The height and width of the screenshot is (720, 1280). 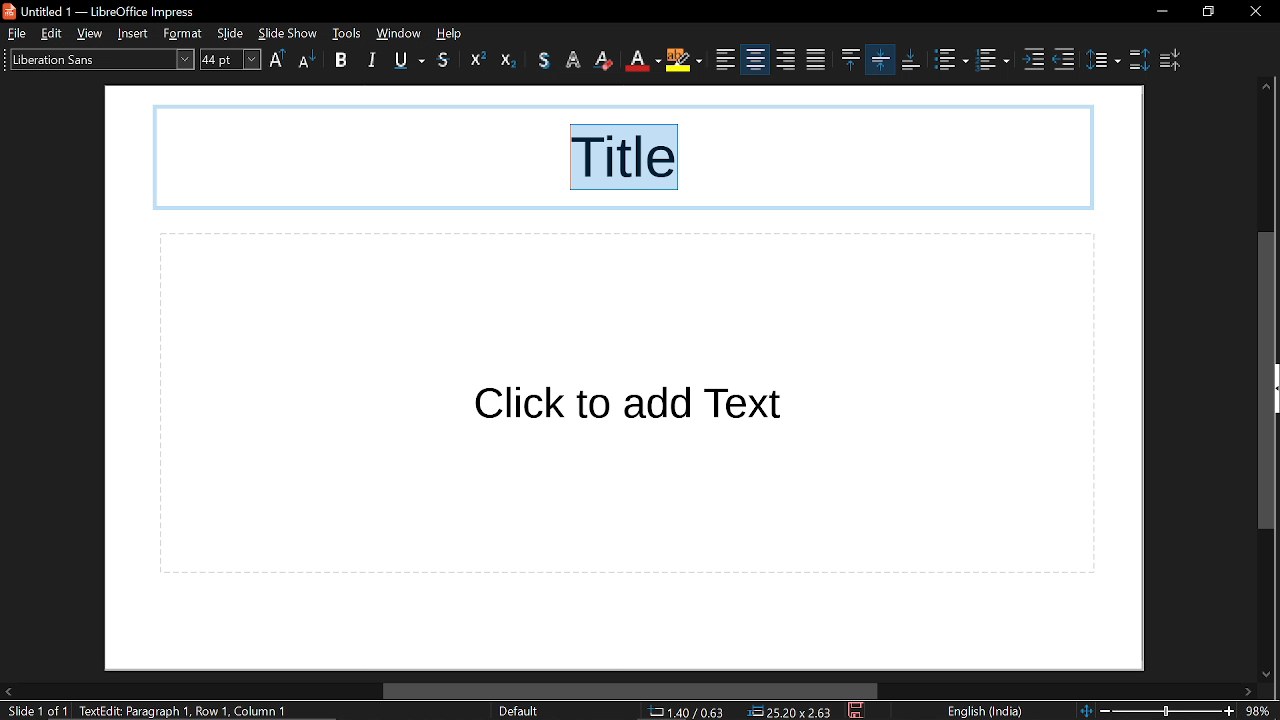 I want to click on highlight, so click(x=644, y=60).